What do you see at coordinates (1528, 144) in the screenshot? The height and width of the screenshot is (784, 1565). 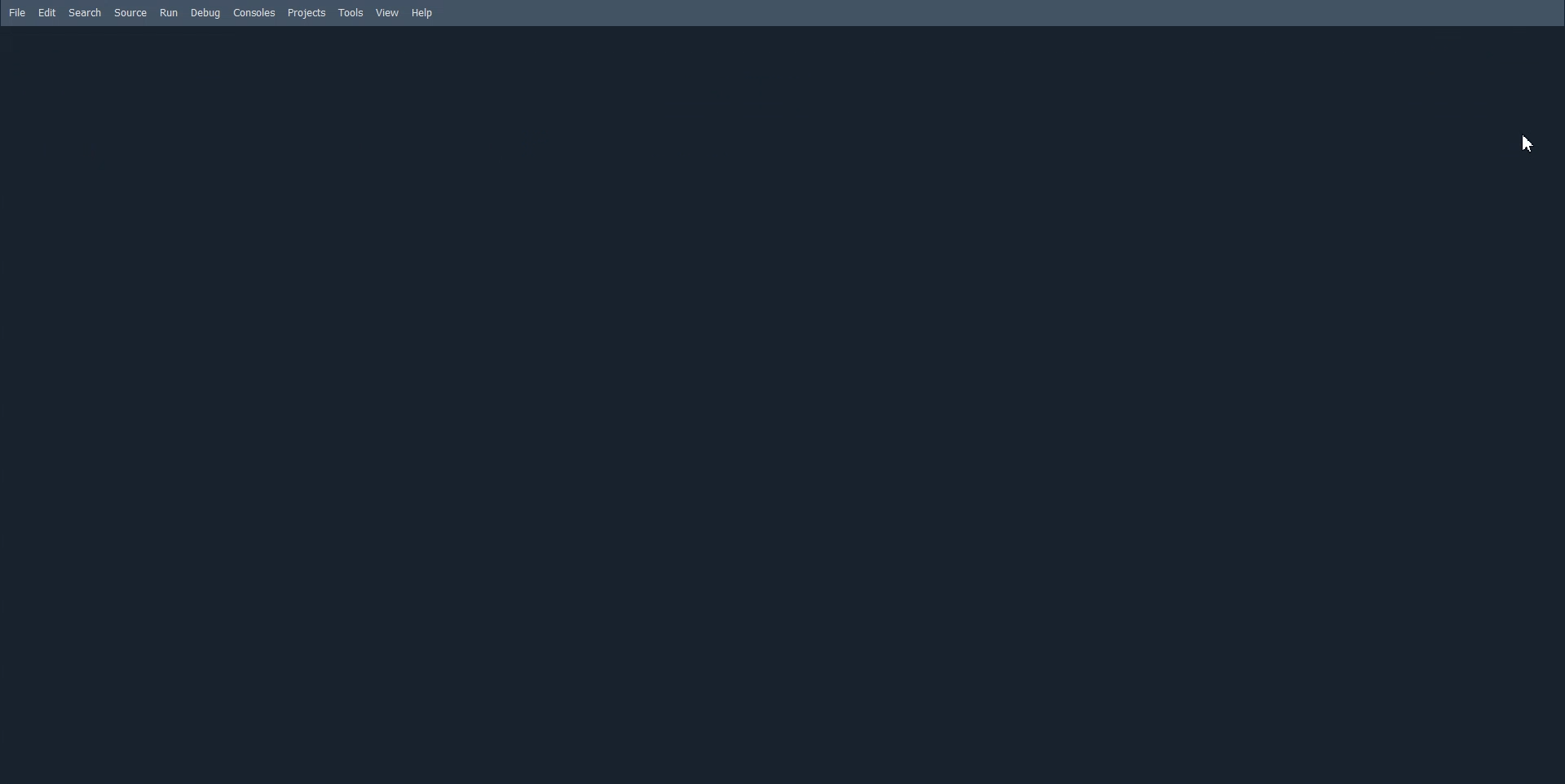 I see `Cursor` at bounding box center [1528, 144].